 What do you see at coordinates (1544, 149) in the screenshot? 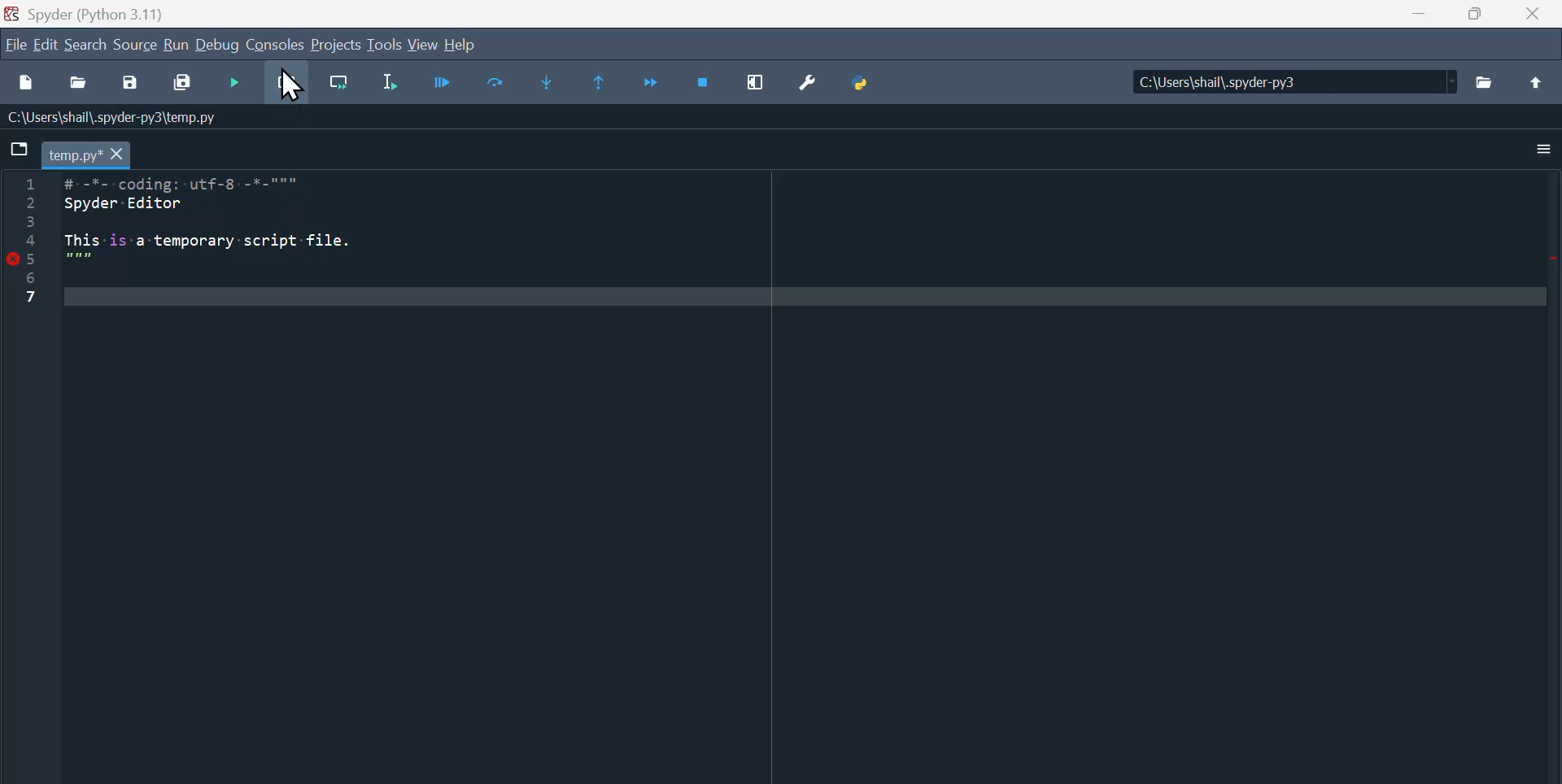
I see `options` at bounding box center [1544, 149].